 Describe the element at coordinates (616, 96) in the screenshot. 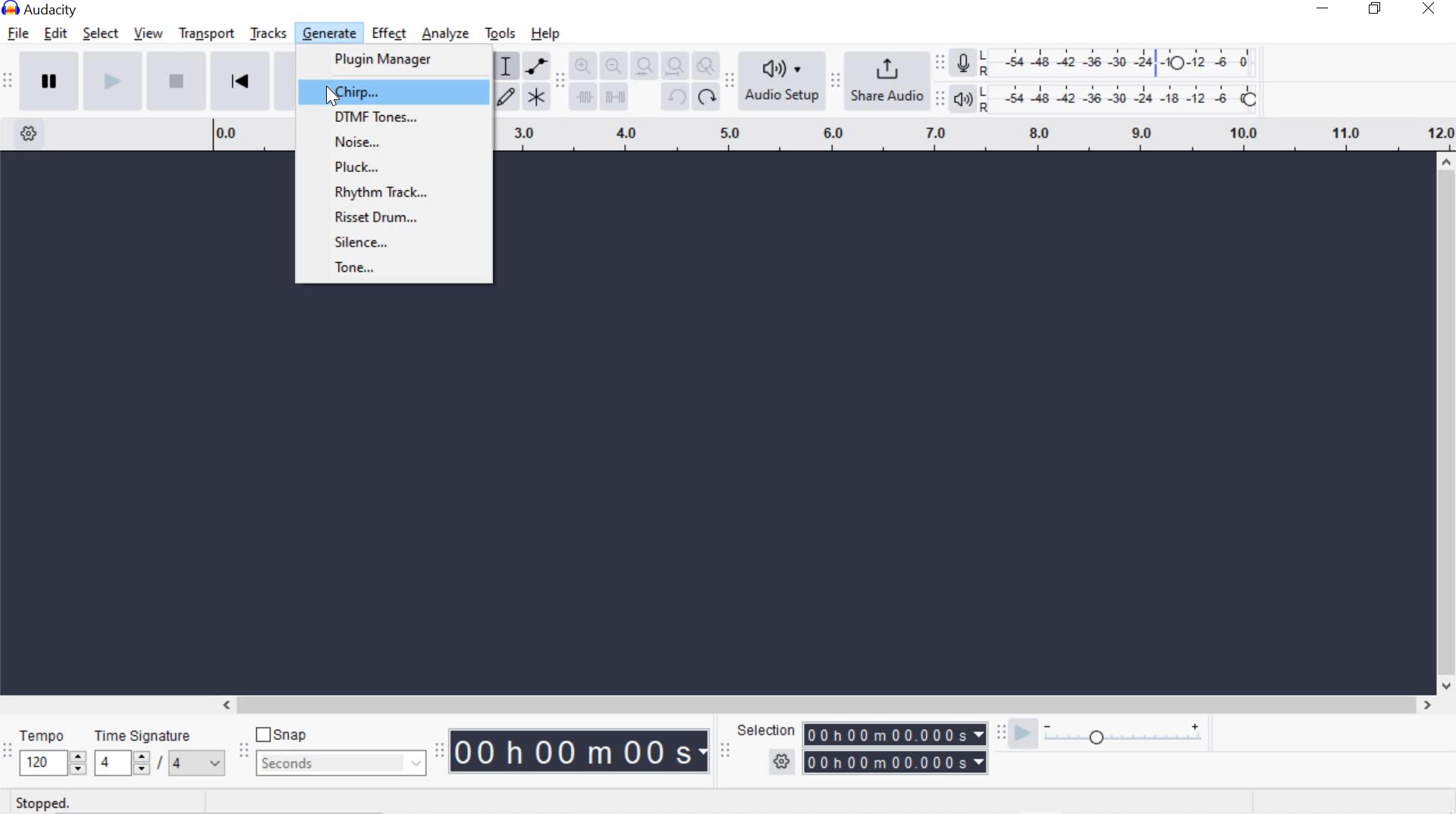

I see `silence audio selection` at that location.